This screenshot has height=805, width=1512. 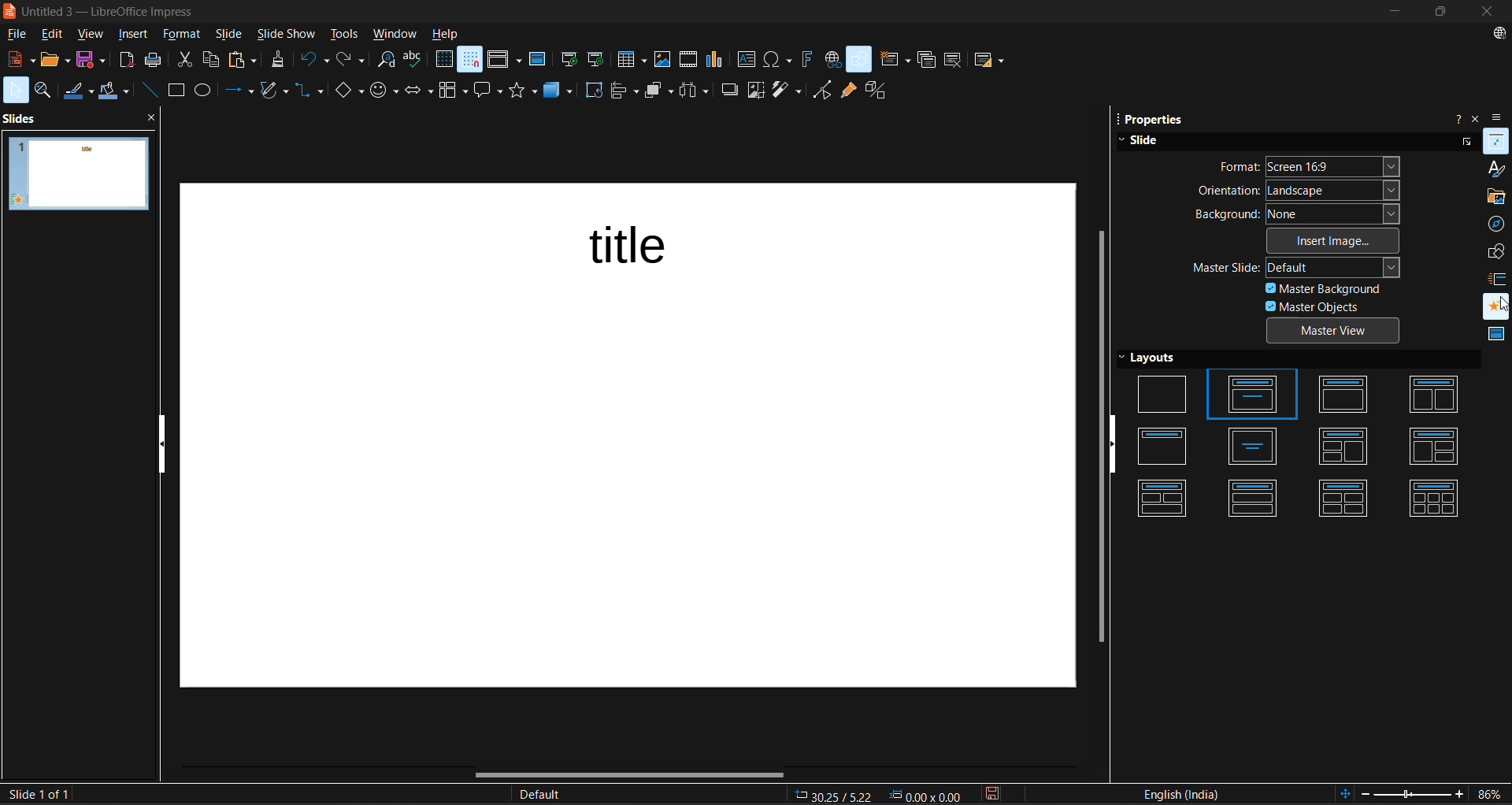 I want to click on master objects, so click(x=1316, y=307).